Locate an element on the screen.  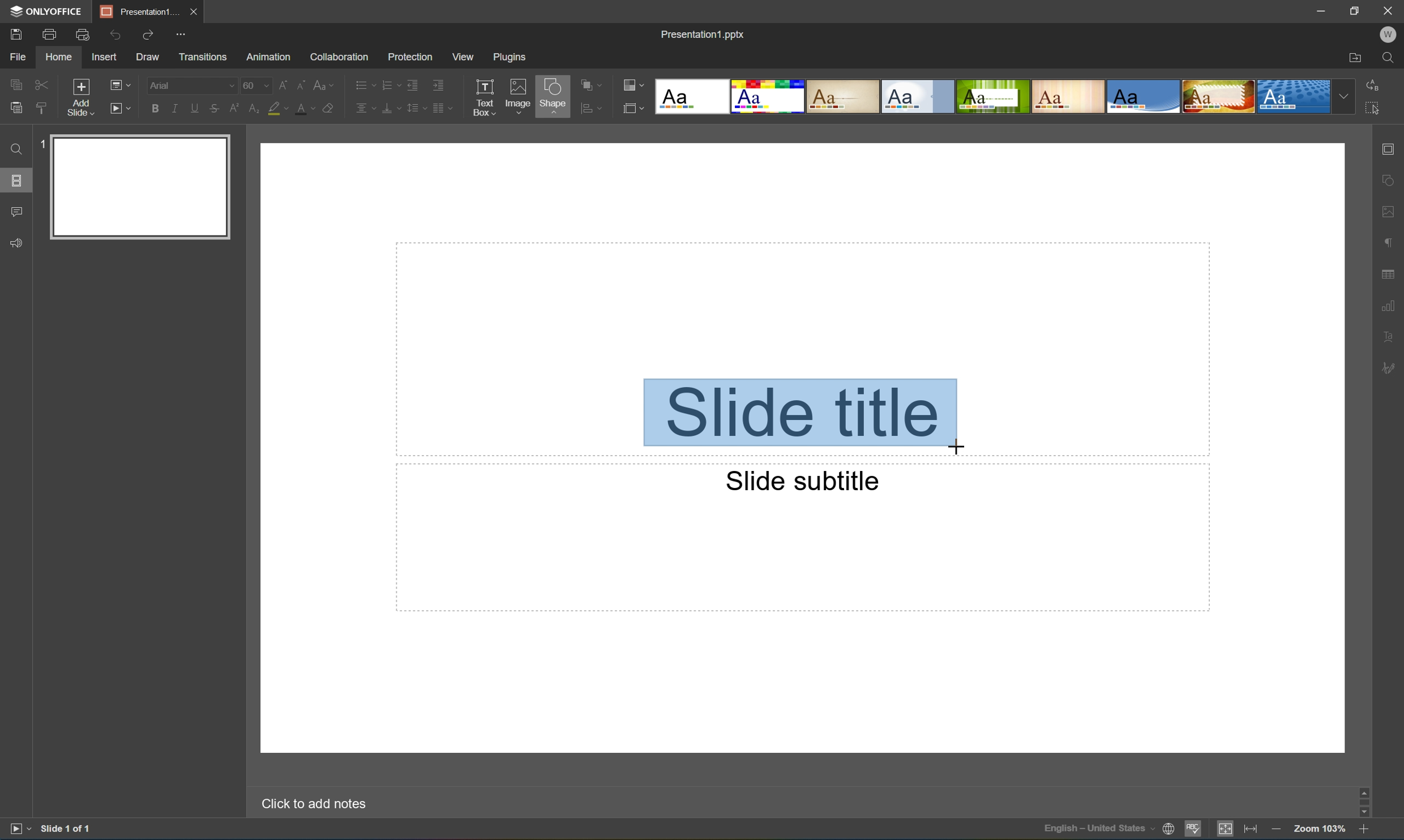
Customize quick access toolbar is located at coordinates (178, 33).